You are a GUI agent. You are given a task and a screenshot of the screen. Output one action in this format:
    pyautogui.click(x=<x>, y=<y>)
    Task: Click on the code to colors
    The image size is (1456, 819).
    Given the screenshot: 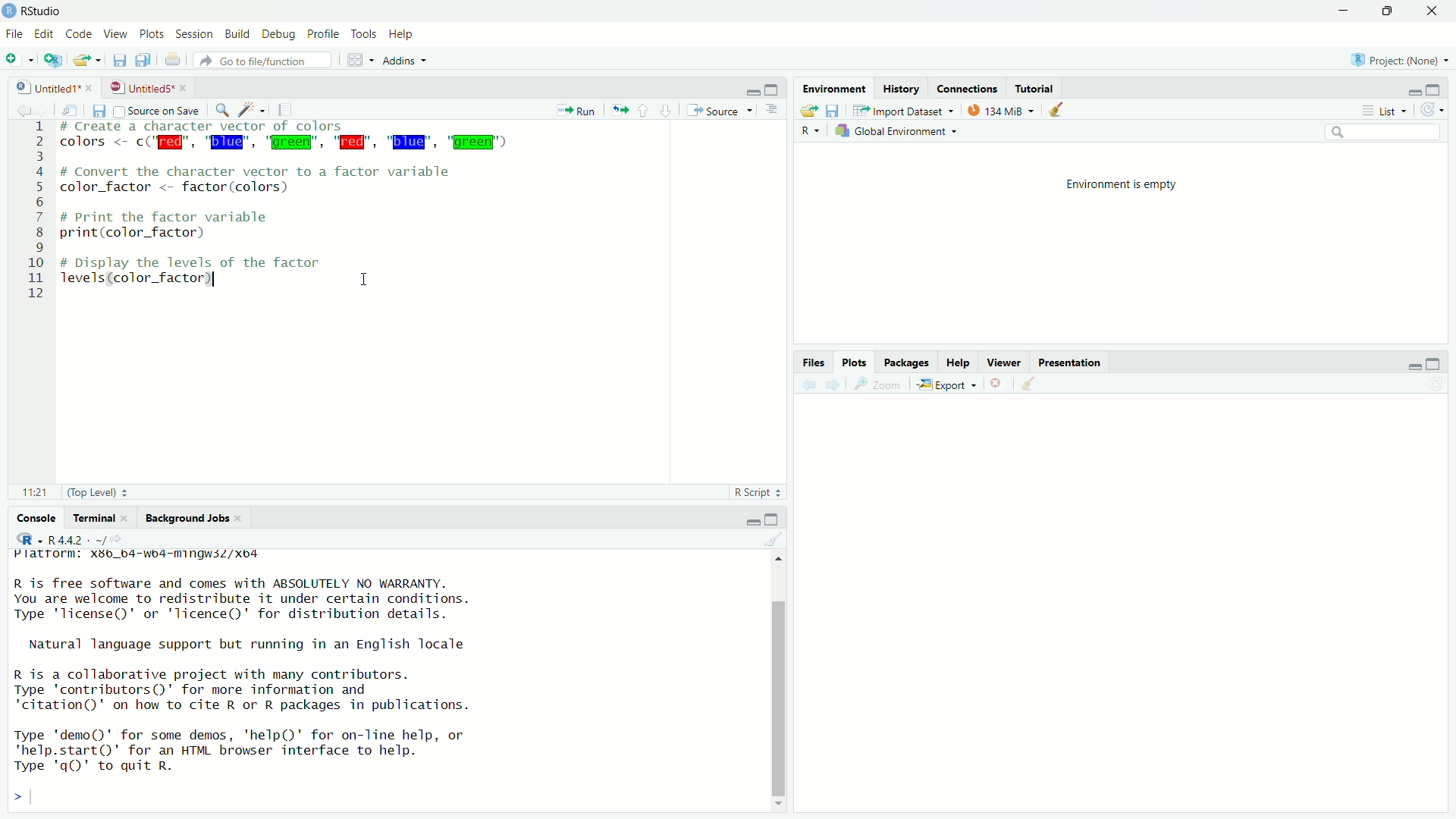 What is the action you would take?
    pyautogui.click(x=291, y=143)
    